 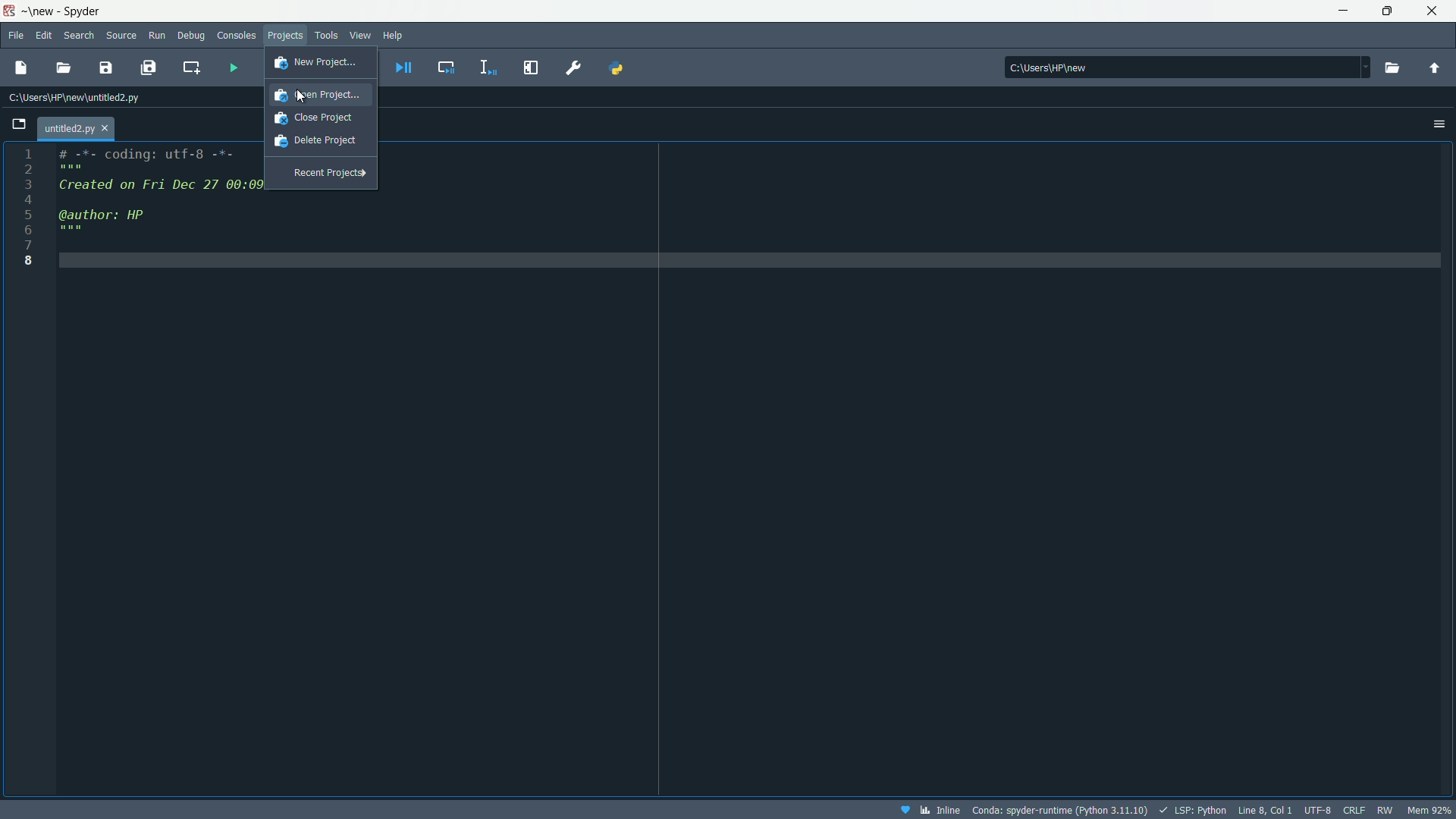 What do you see at coordinates (28, 208) in the screenshot?
I see `line numbers` at bounding box center [28, 208].